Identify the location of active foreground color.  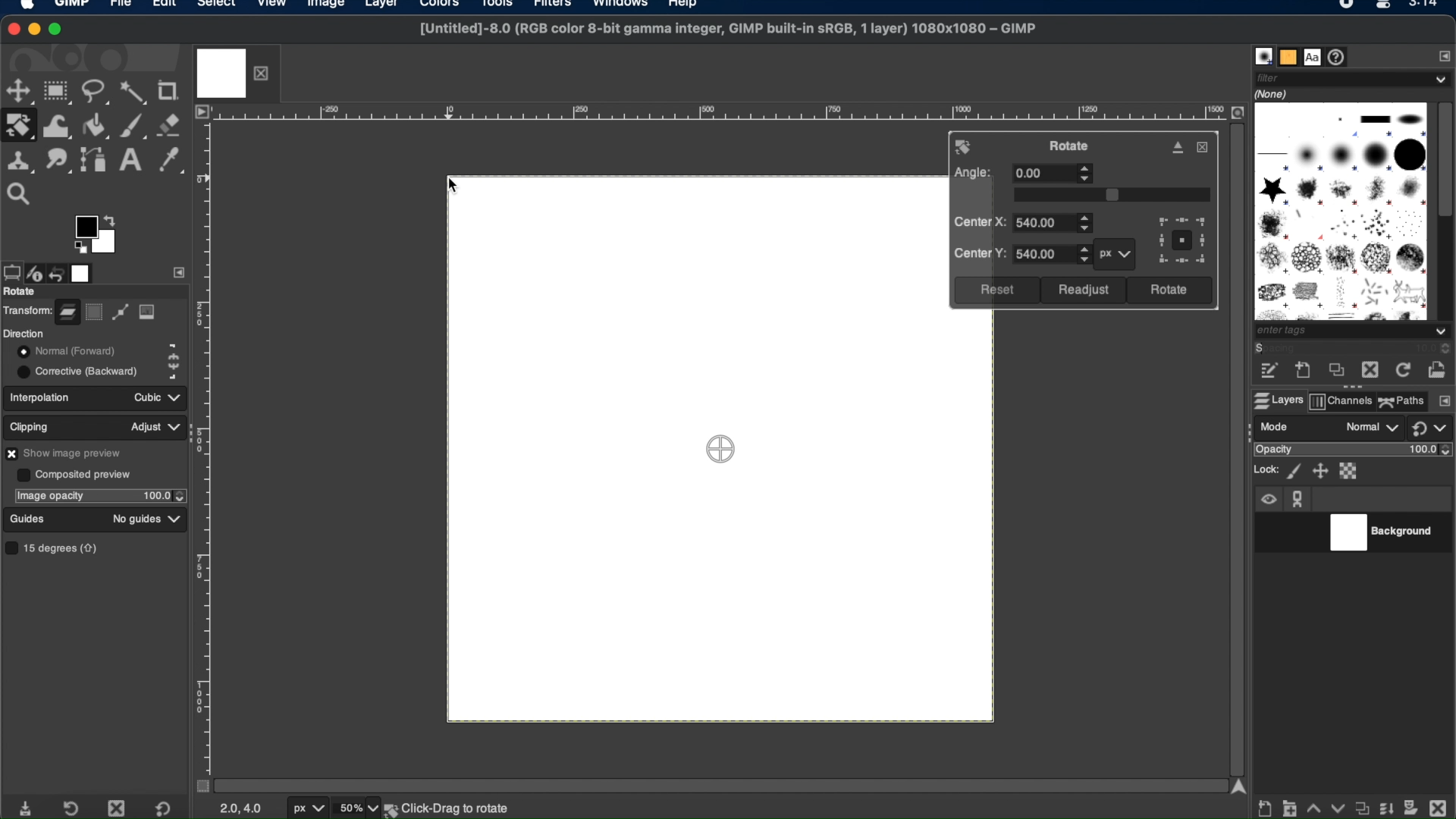
(84, 227).